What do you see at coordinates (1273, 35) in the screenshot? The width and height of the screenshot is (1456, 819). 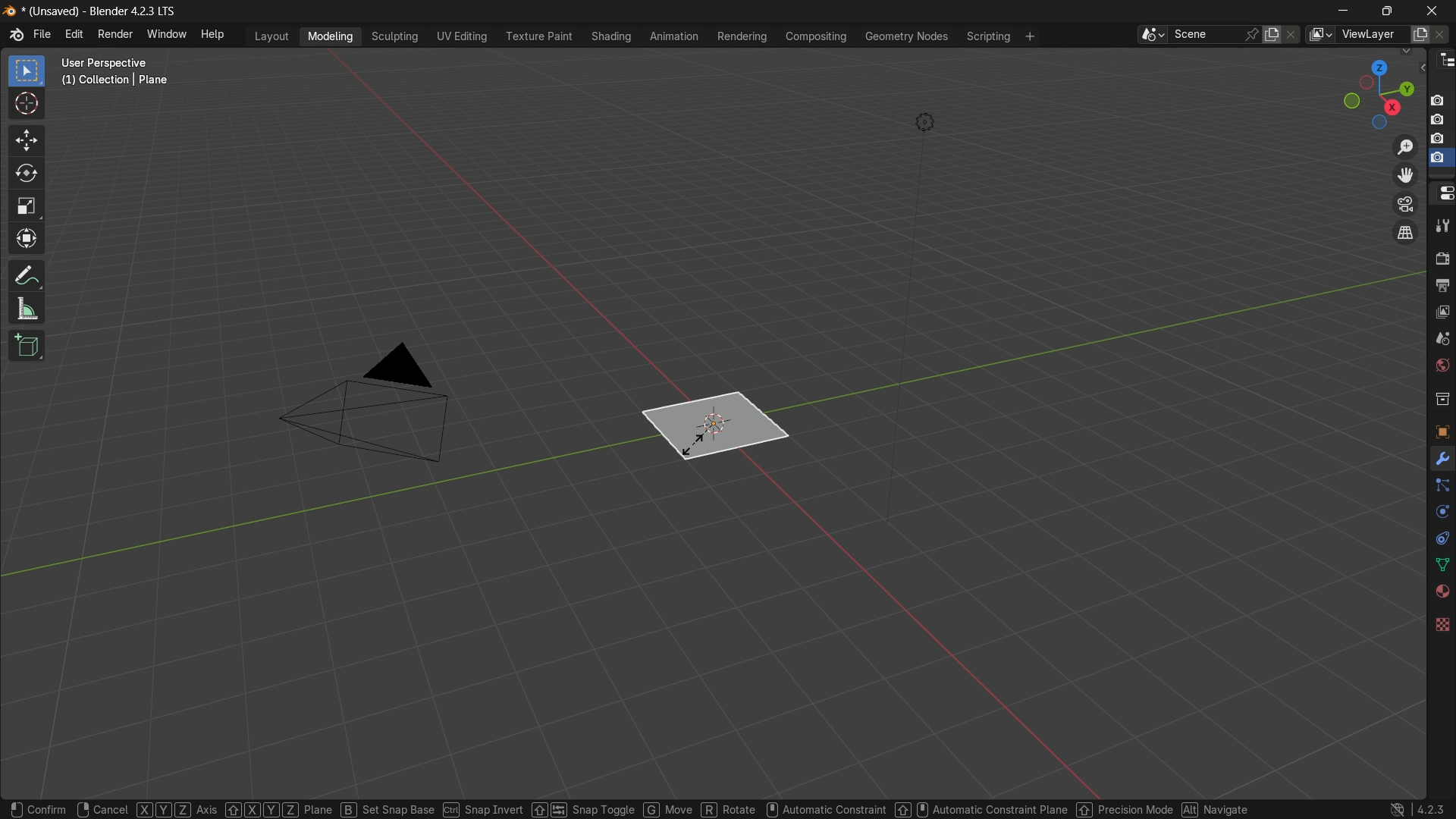 I see `new scene` at bounding box center [1273, 35].